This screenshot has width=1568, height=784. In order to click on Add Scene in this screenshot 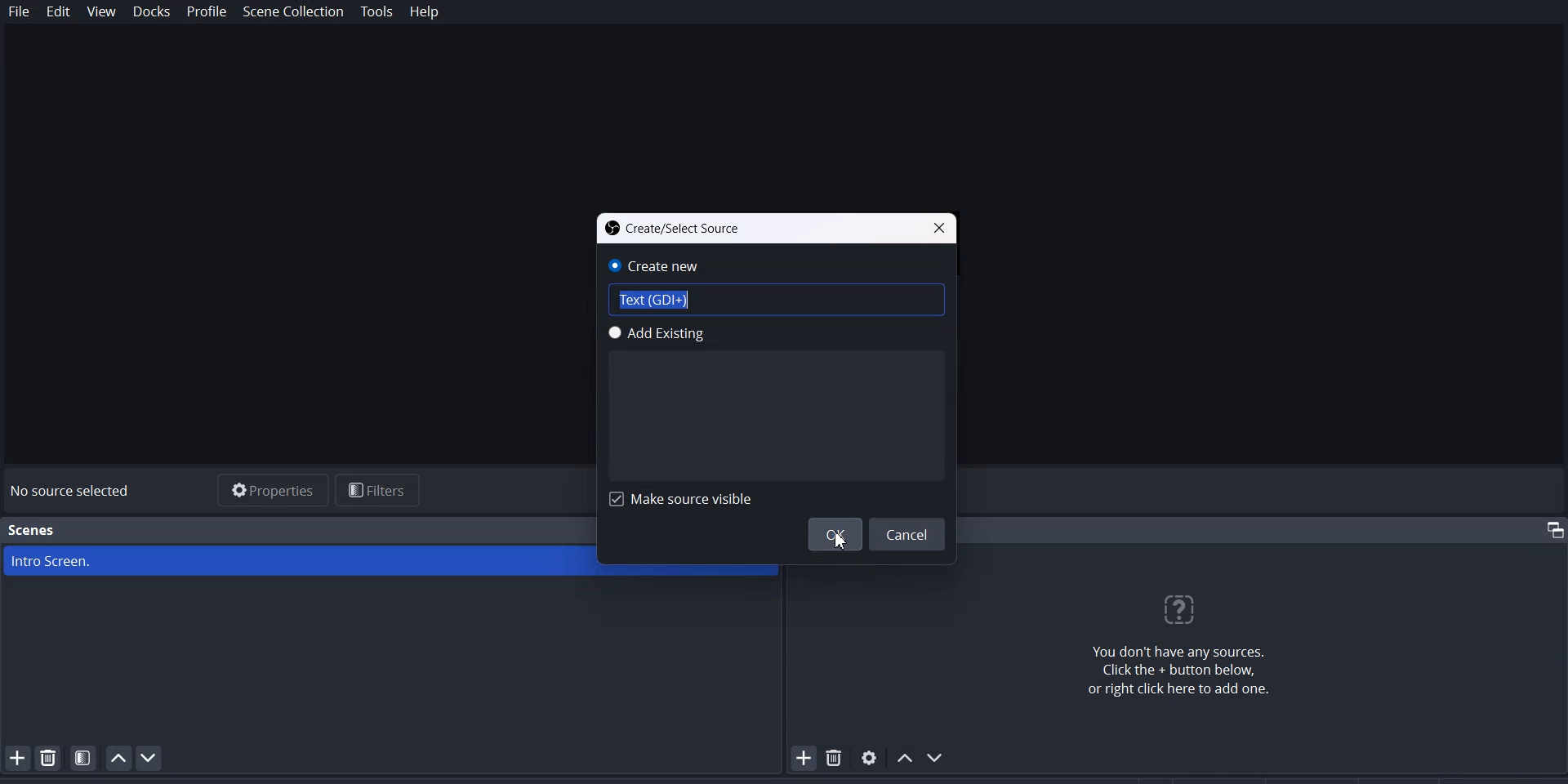, I will do `click(15, 757)`.